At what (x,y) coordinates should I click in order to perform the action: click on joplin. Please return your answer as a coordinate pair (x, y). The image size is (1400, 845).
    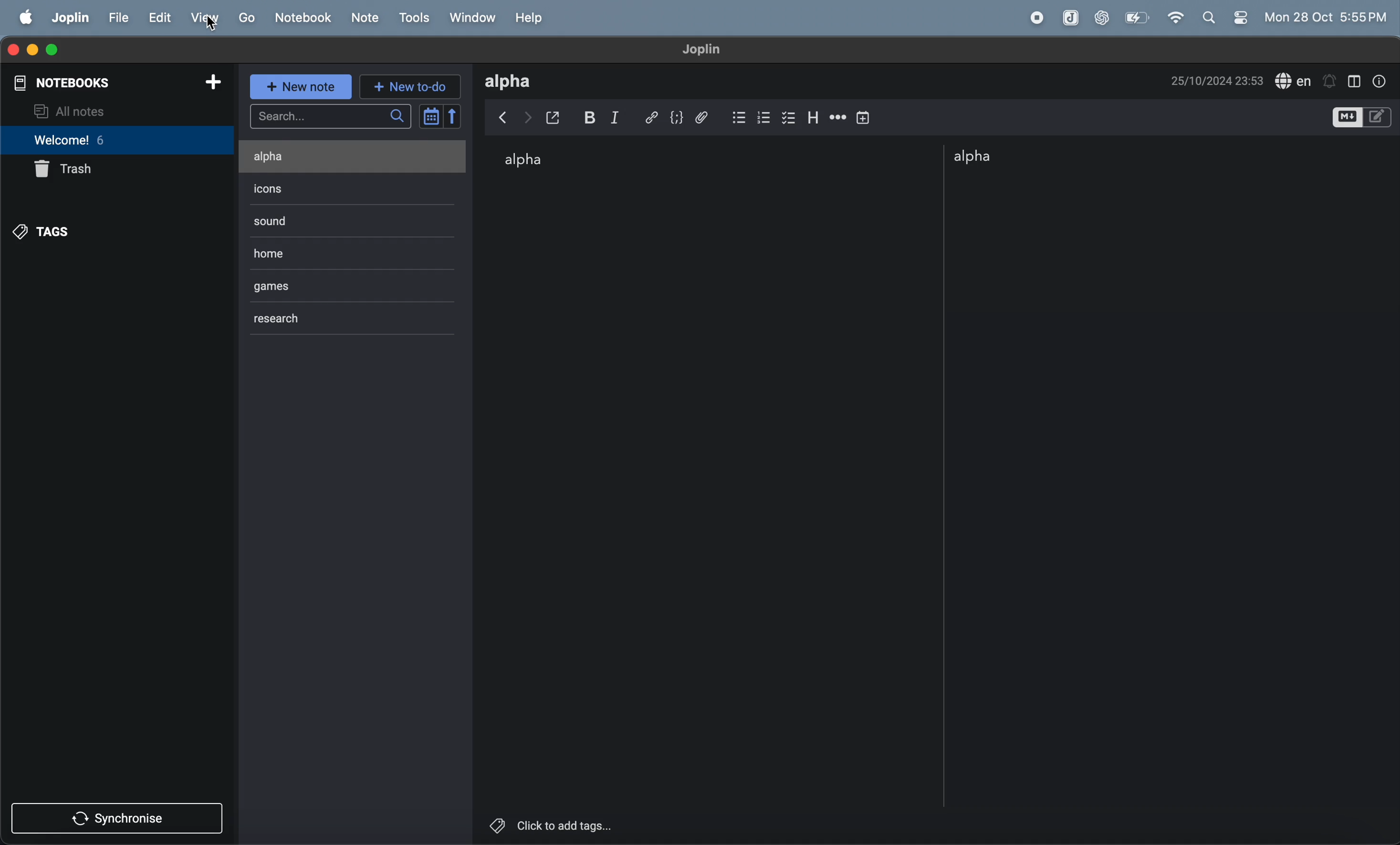
    Looking at the image, I should click on (69, 19).